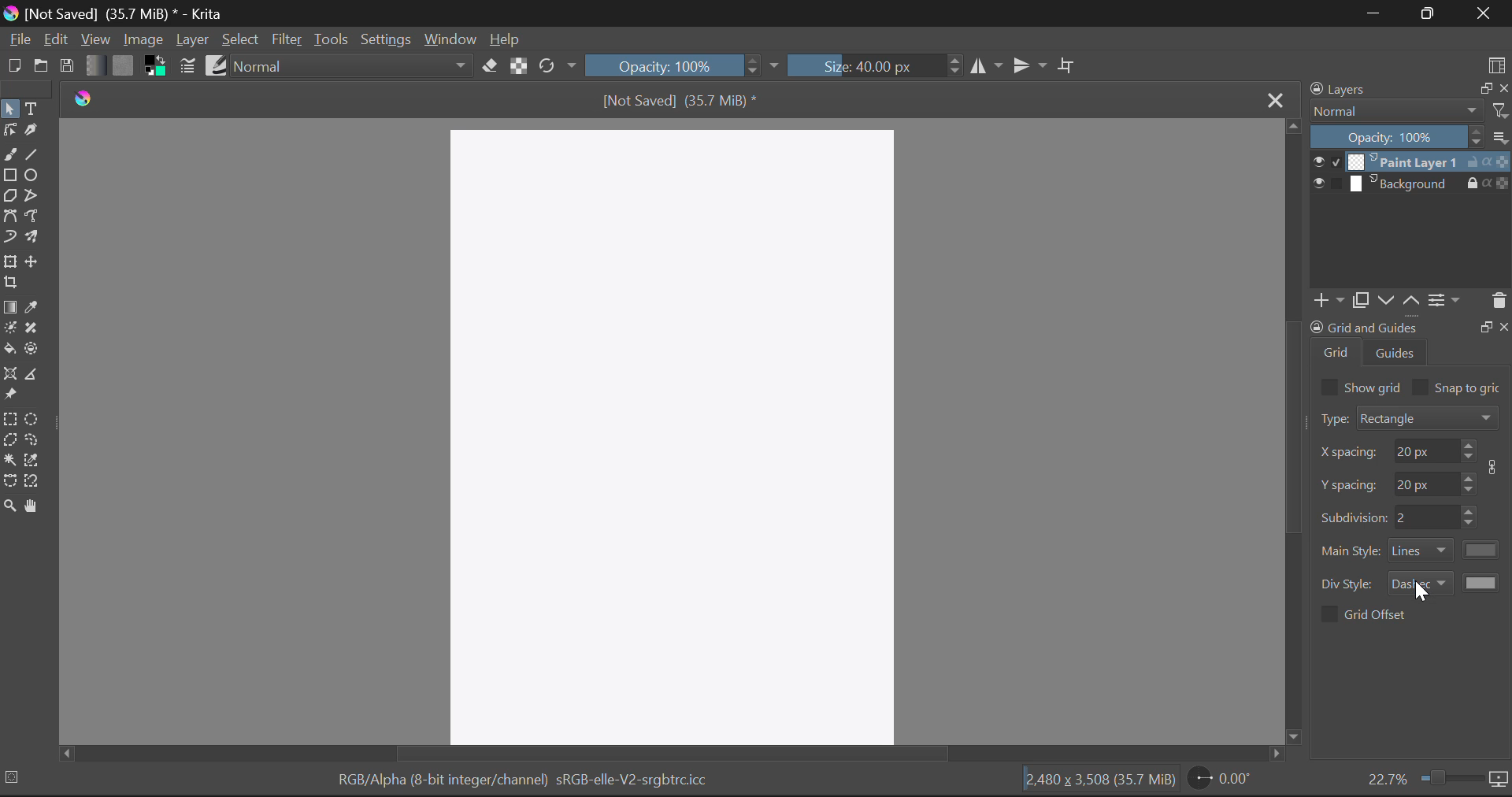  I want to click on delete, so click(1498, 301).